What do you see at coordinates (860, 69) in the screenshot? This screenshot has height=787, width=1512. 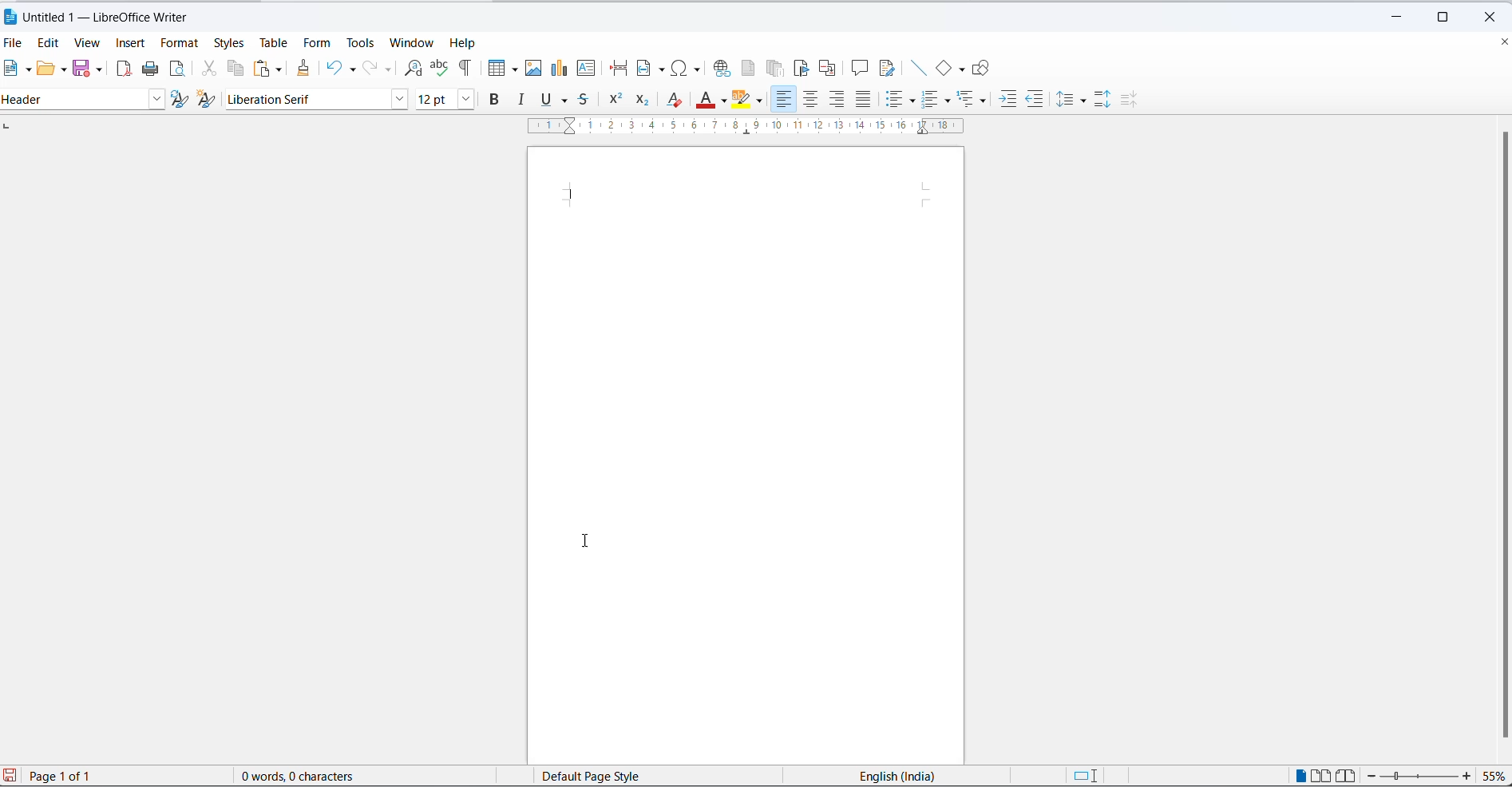 I see `insert comments` at bounding box center [860, 69].